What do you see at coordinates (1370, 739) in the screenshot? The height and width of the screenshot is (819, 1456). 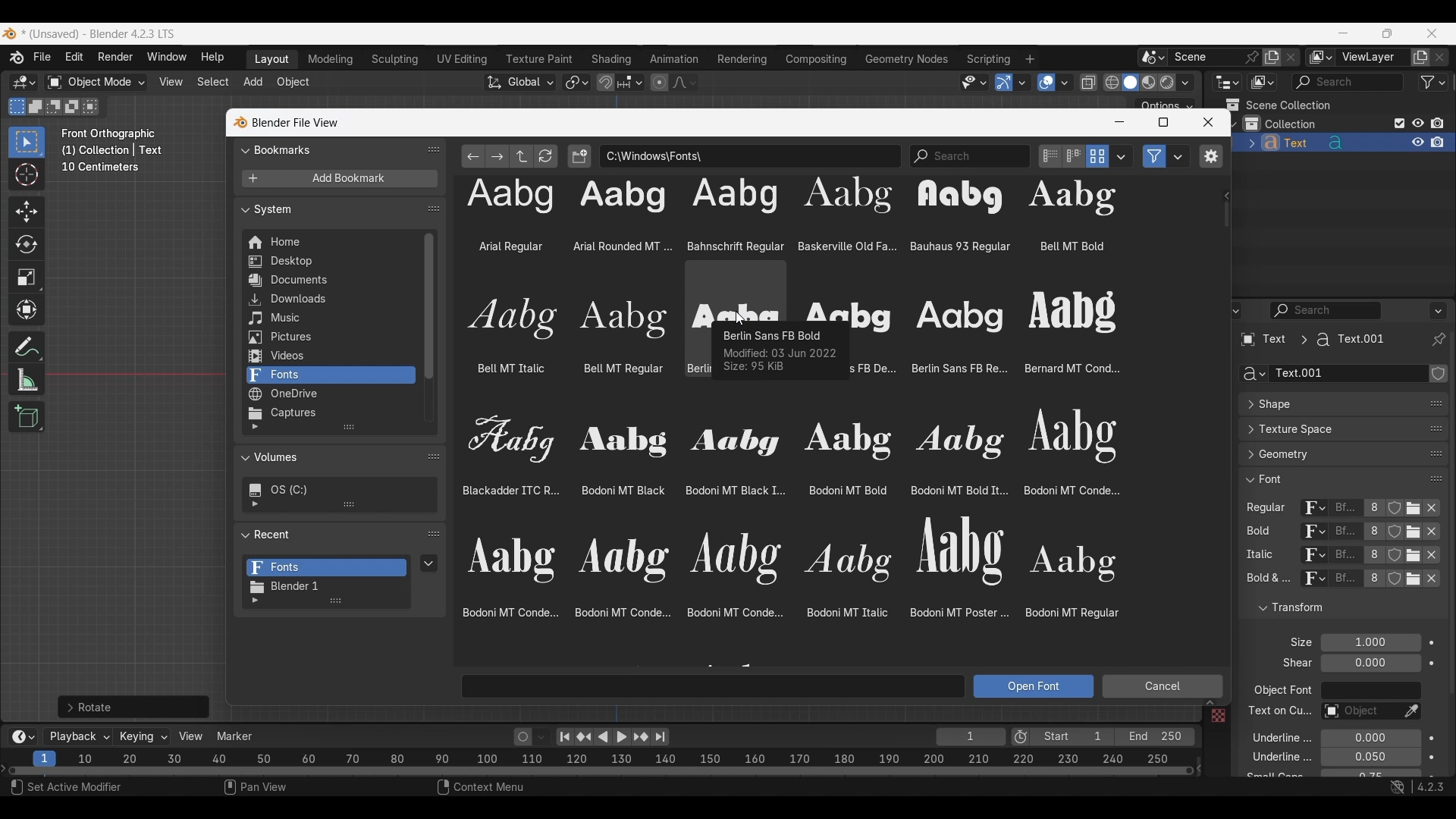 I see `Underline position` at bounding box center [1370, 739].